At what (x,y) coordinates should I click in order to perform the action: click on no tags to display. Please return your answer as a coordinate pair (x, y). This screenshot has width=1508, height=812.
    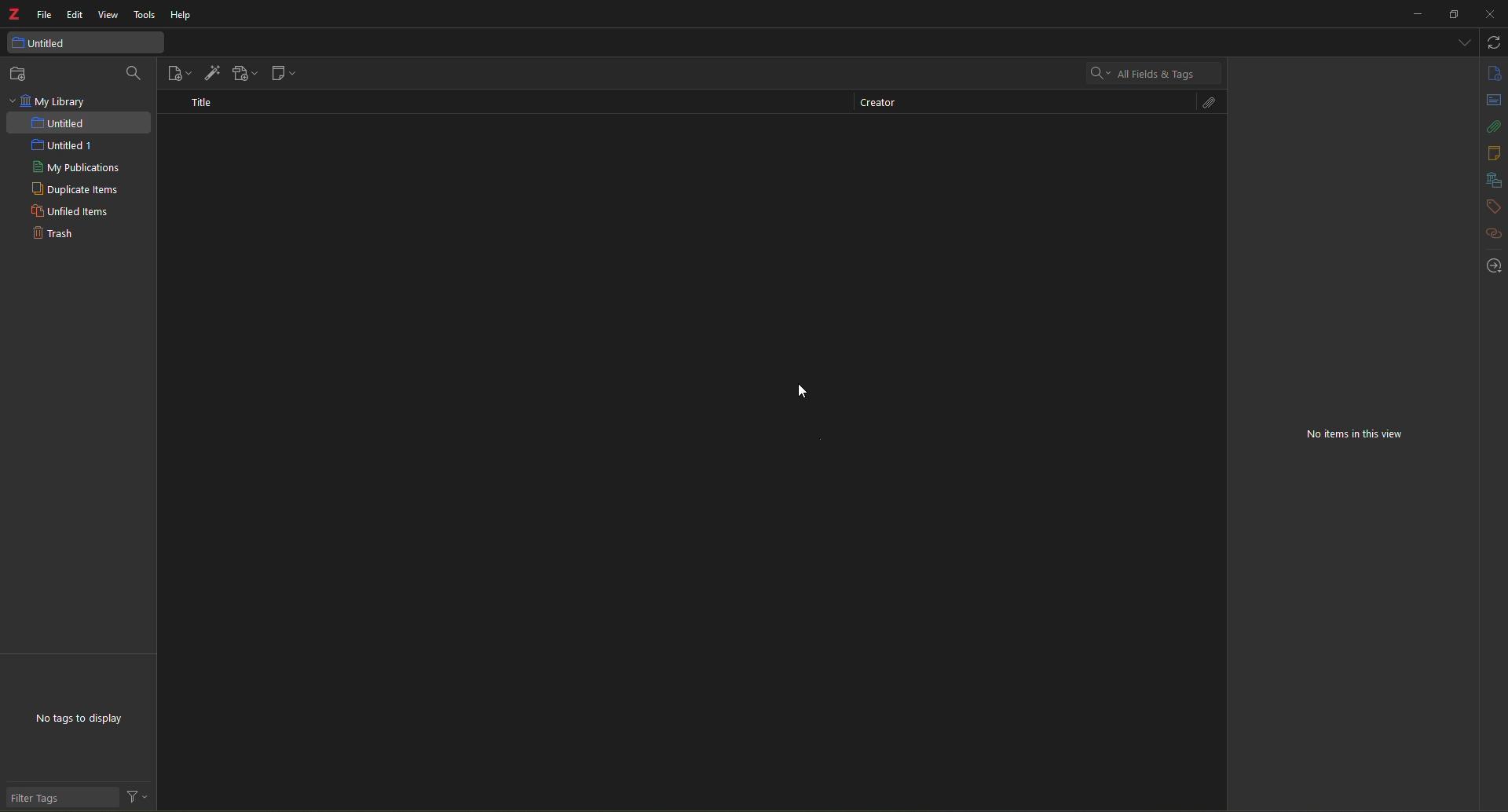
    Looking at the image, I should click on (82, 720).